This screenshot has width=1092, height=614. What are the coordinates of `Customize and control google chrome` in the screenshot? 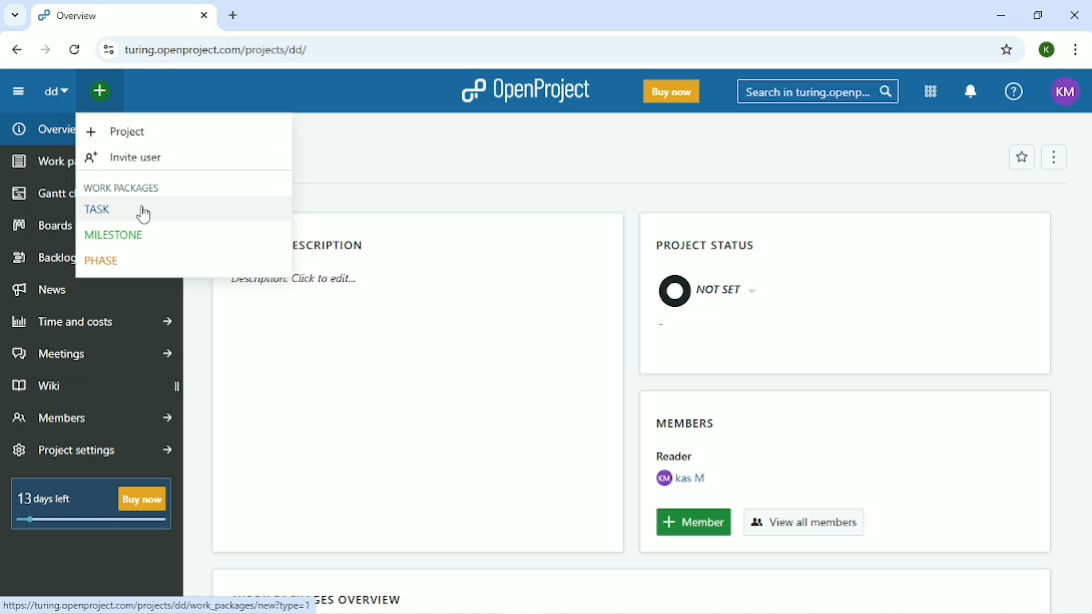 It's located at (1079, 50).